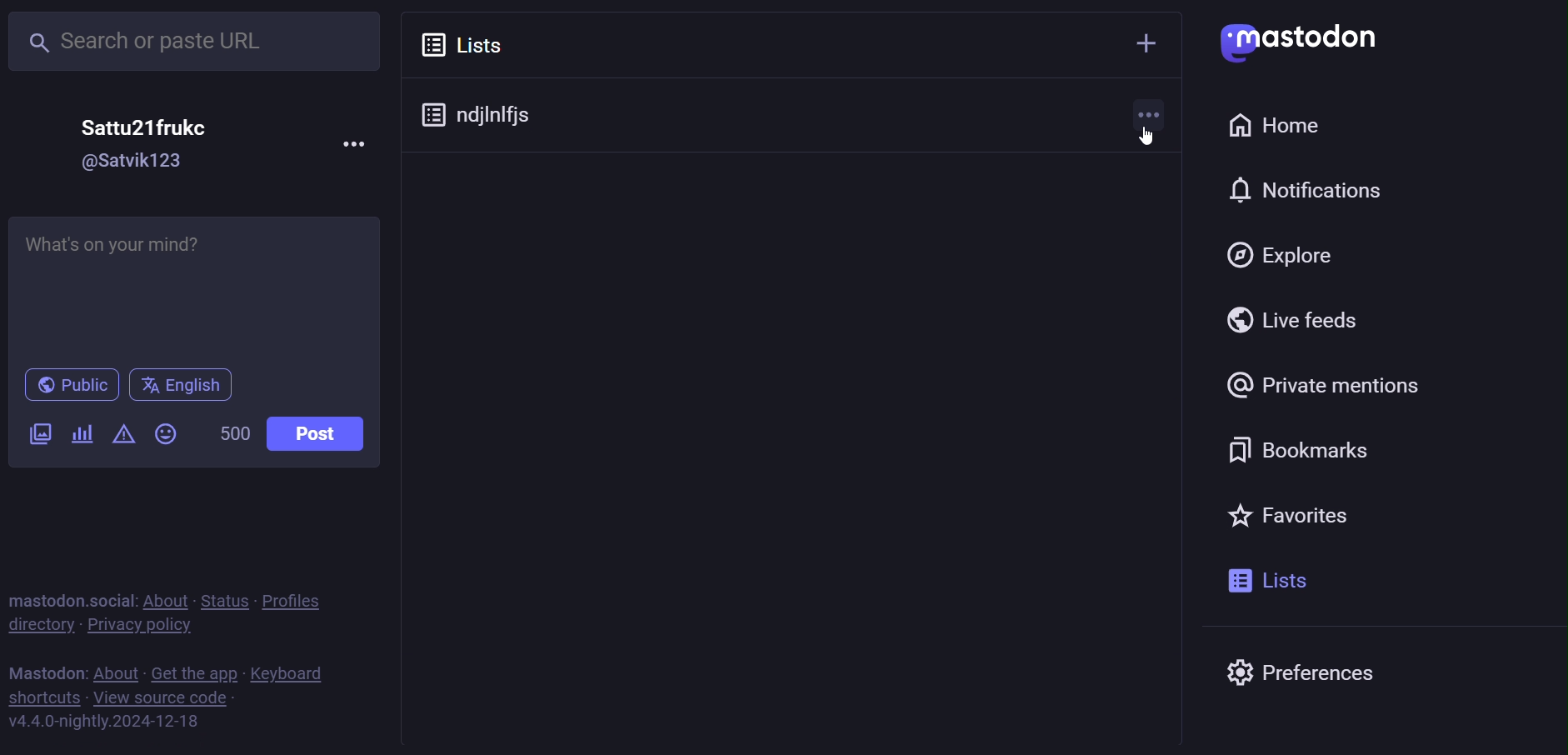 This screenshot has height=755, width=1568. What do you see at coordinates (1291, 320) in the screenshot?
I see `live feed` at bounding box center [1291, 320].